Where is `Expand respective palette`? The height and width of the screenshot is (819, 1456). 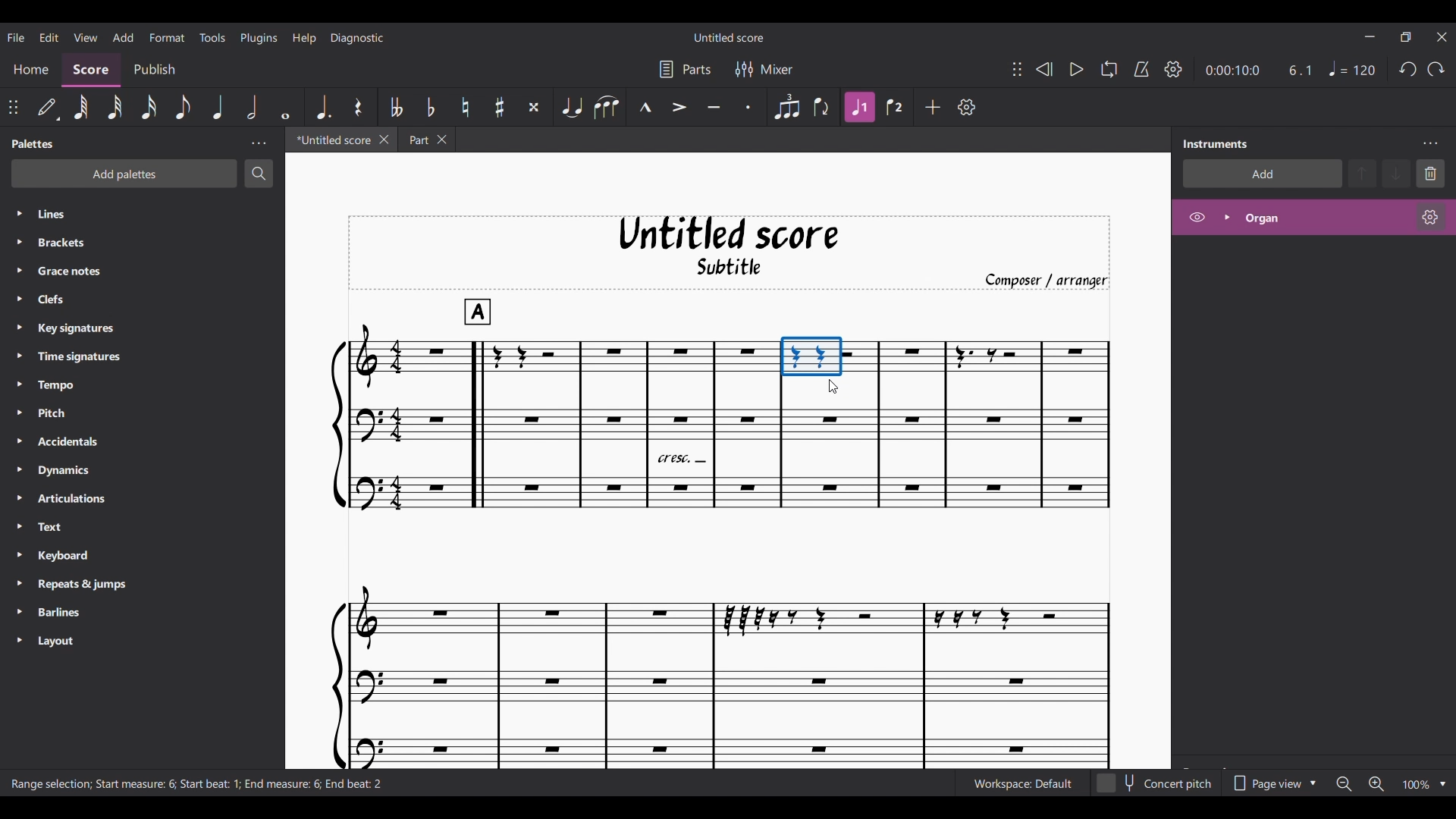
Expand respective palette is located at coordinates (19, 427).